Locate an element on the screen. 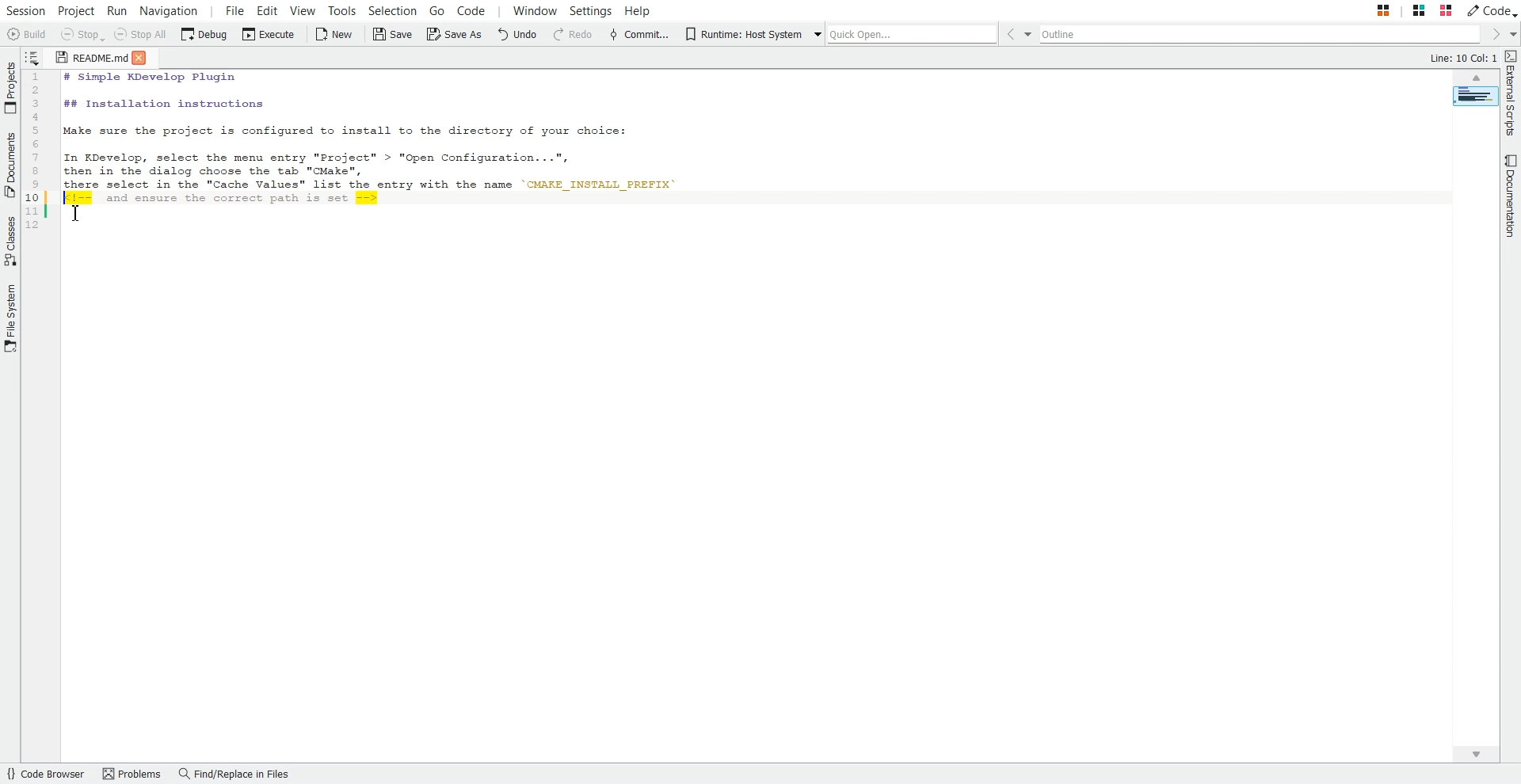 The width and height of the screenshot is (1521, 784). Commit is located at coordinates (639, 35).